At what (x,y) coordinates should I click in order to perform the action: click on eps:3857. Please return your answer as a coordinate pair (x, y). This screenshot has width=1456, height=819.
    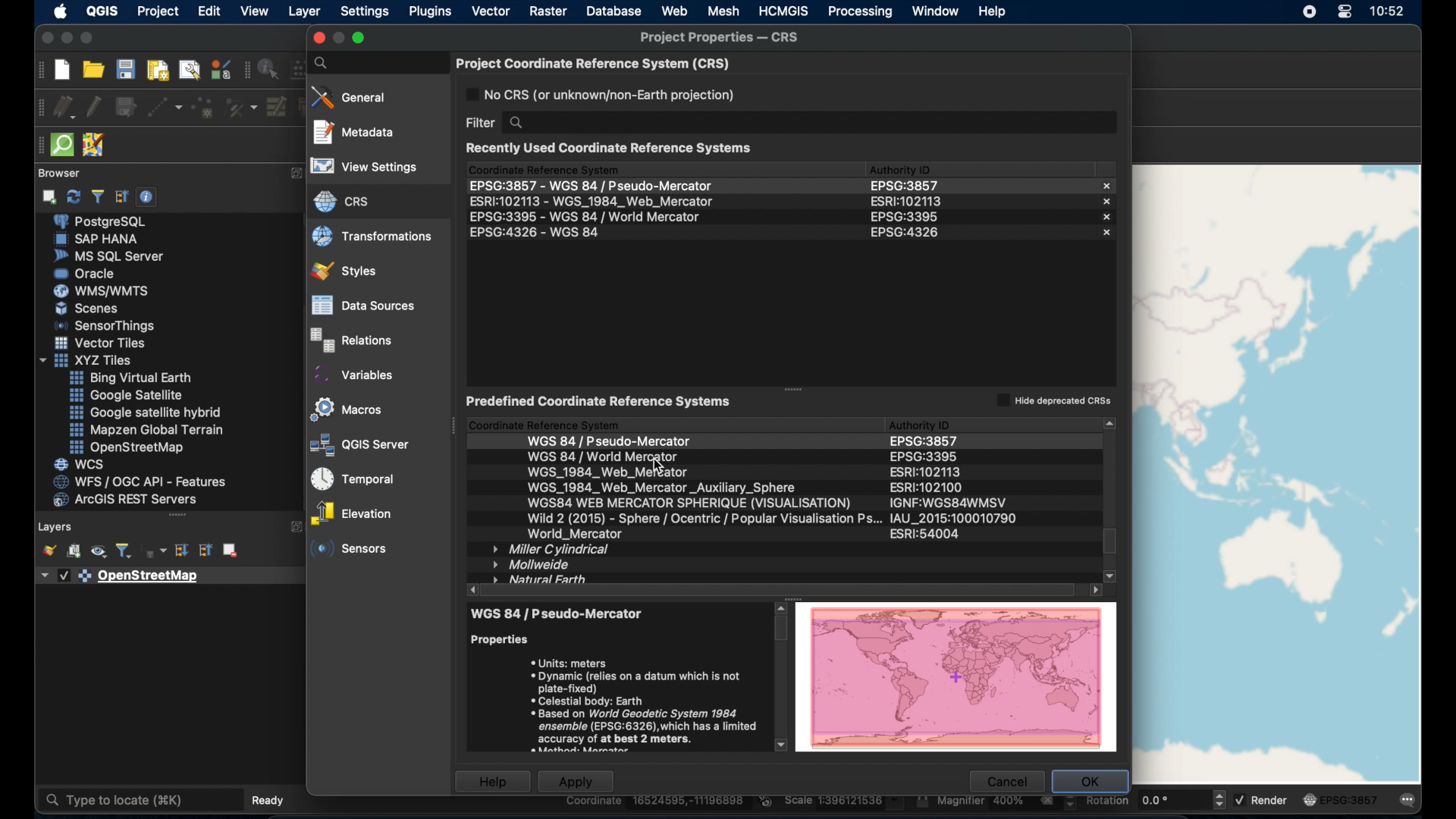
    Looking at the image, I should click on (903, 185).